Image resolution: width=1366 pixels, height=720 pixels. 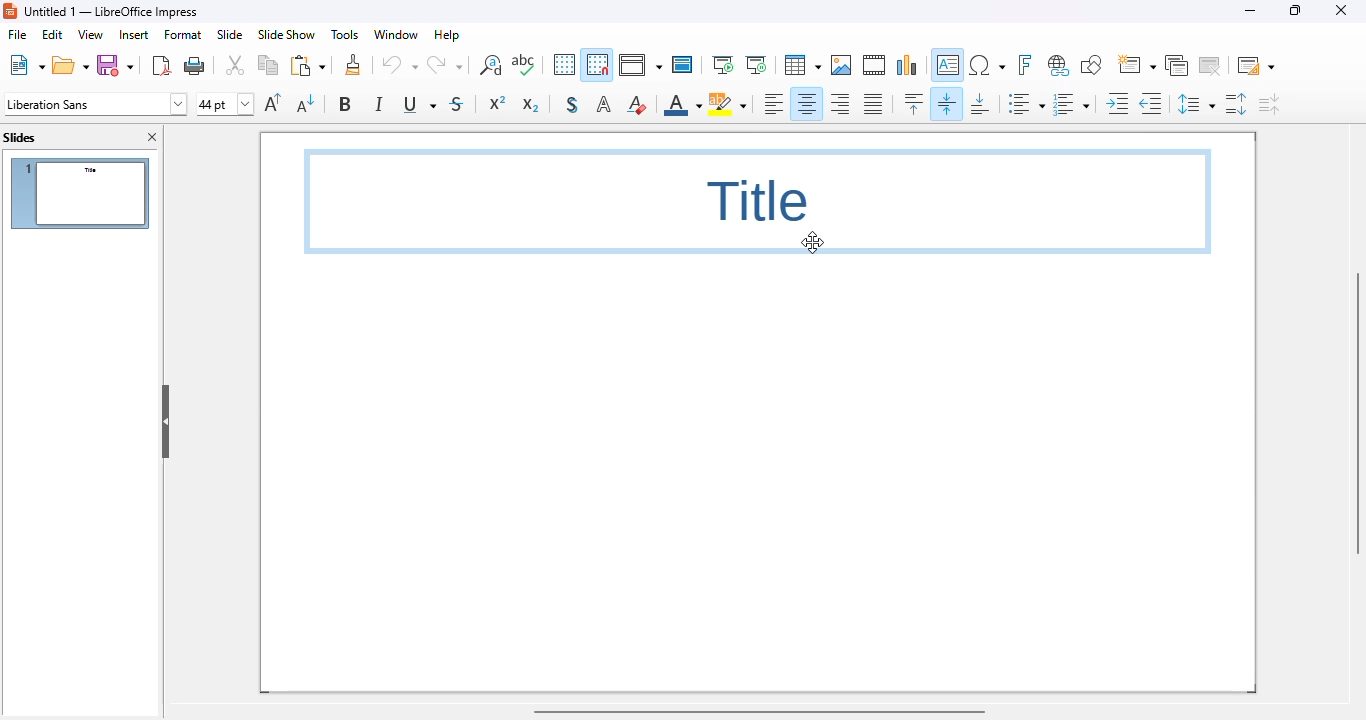 I want to click on decrease font size, so click(x=306, y=103).